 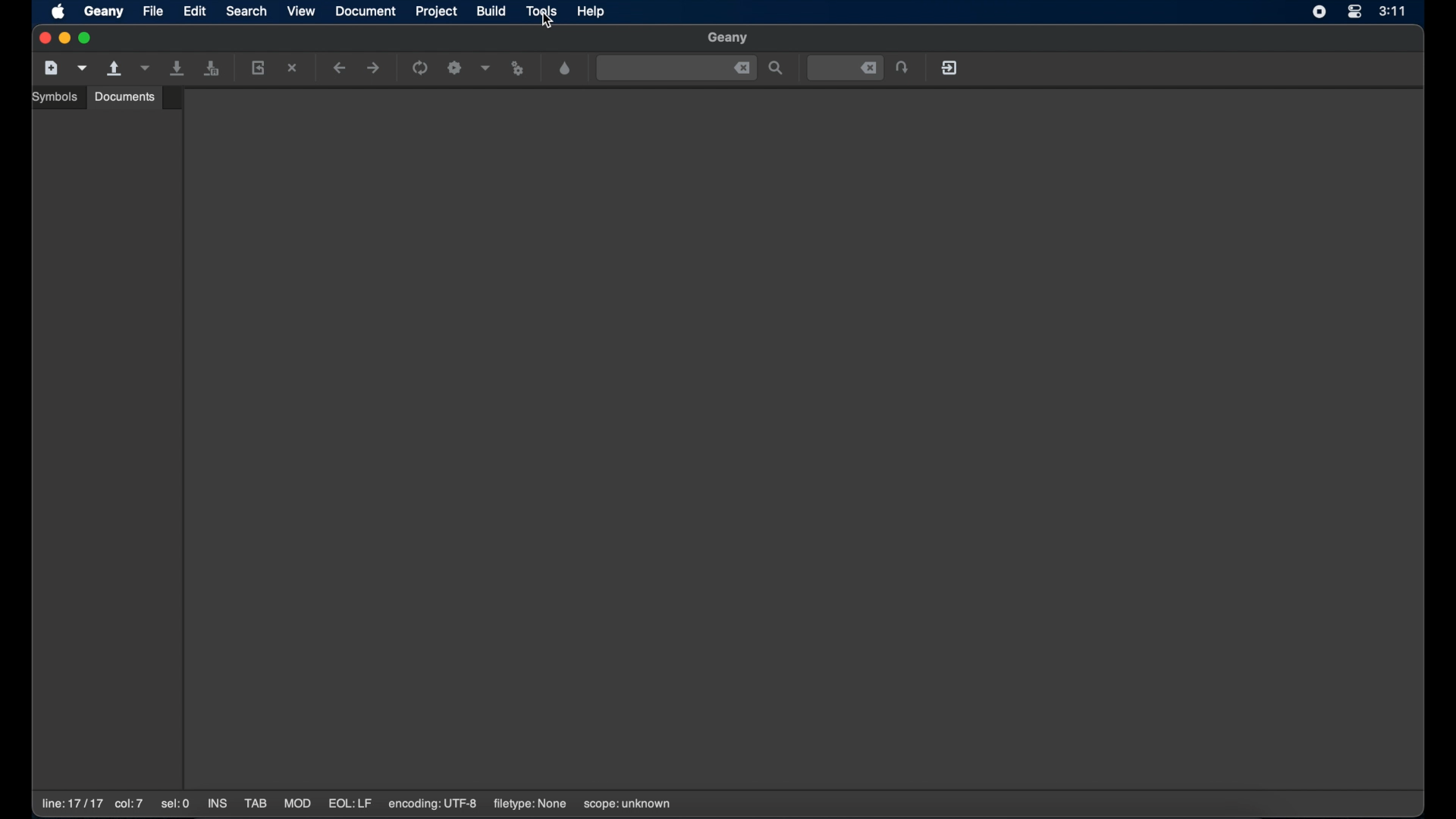 What do you see at coordinates (212, 69) in the screenshot?
I see `save all open files` at bounding box center [212, 69].